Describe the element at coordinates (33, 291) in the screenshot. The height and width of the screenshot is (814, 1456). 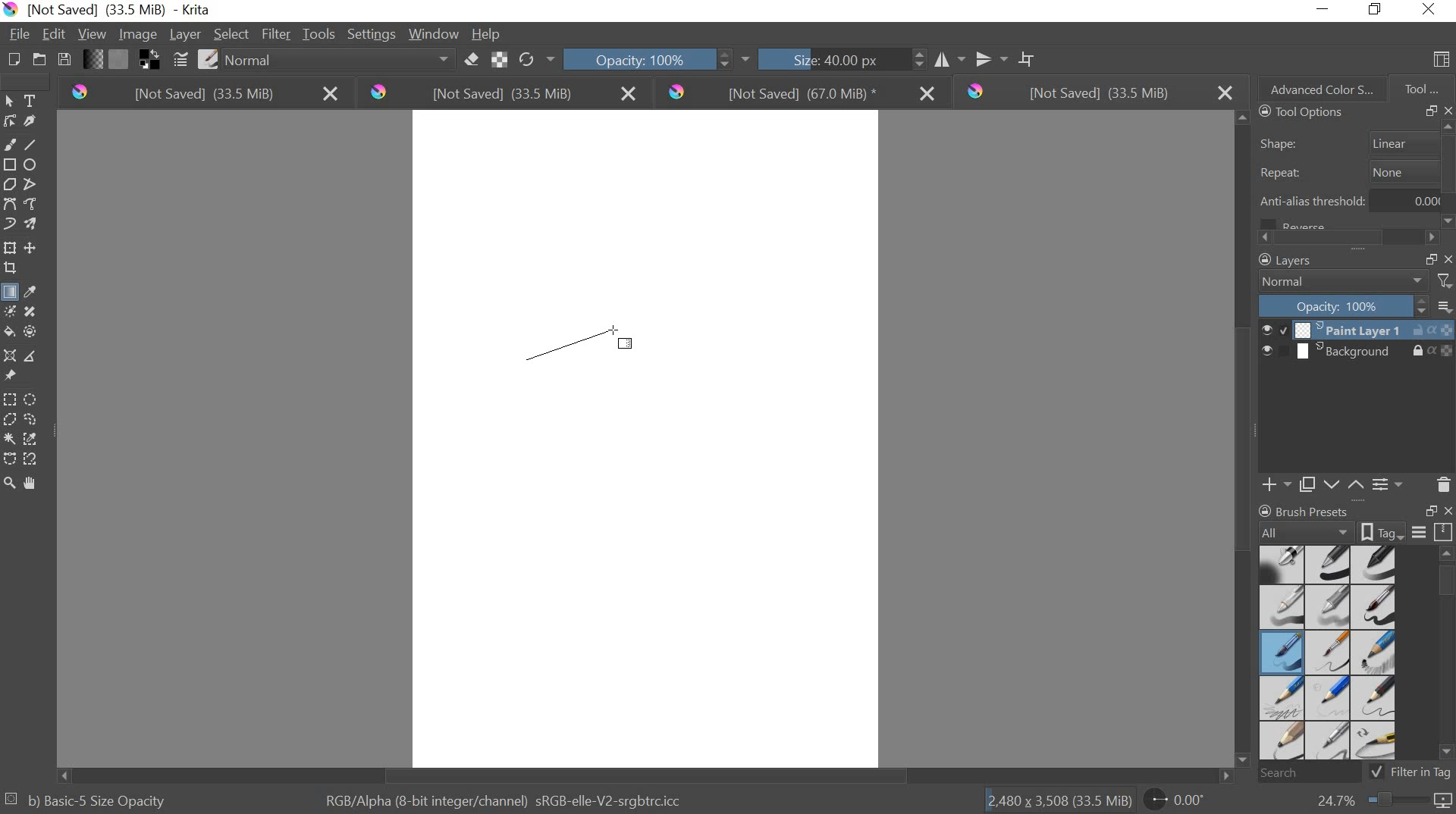
I see `eyedropper` at that location.